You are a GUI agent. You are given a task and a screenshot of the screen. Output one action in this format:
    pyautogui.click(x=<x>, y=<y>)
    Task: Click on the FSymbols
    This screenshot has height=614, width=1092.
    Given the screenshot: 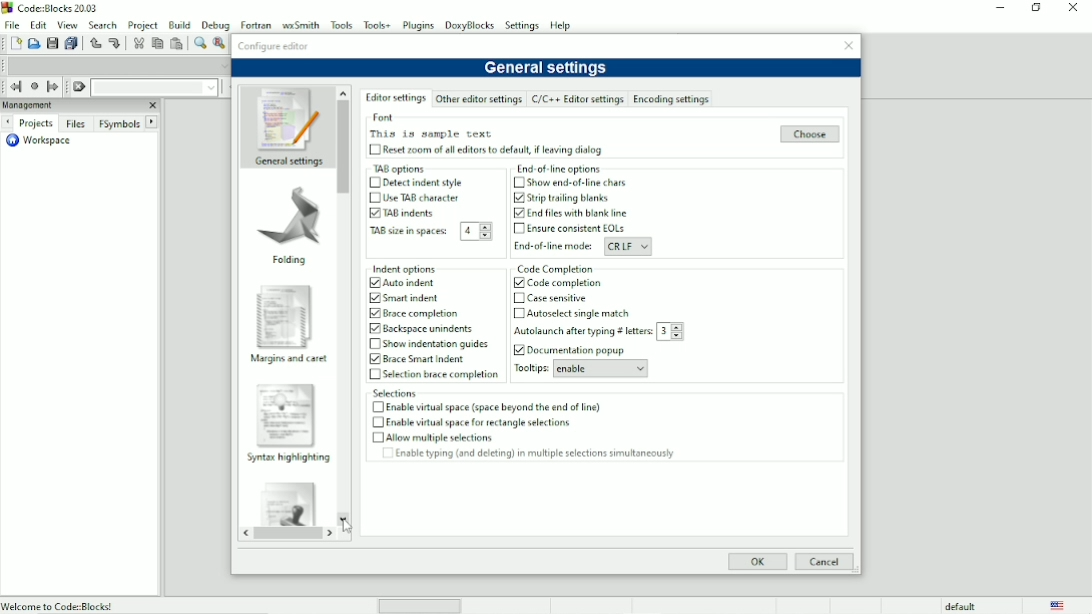 What is the action you would take?
    pyautogui.click(x=119, y=124)
    